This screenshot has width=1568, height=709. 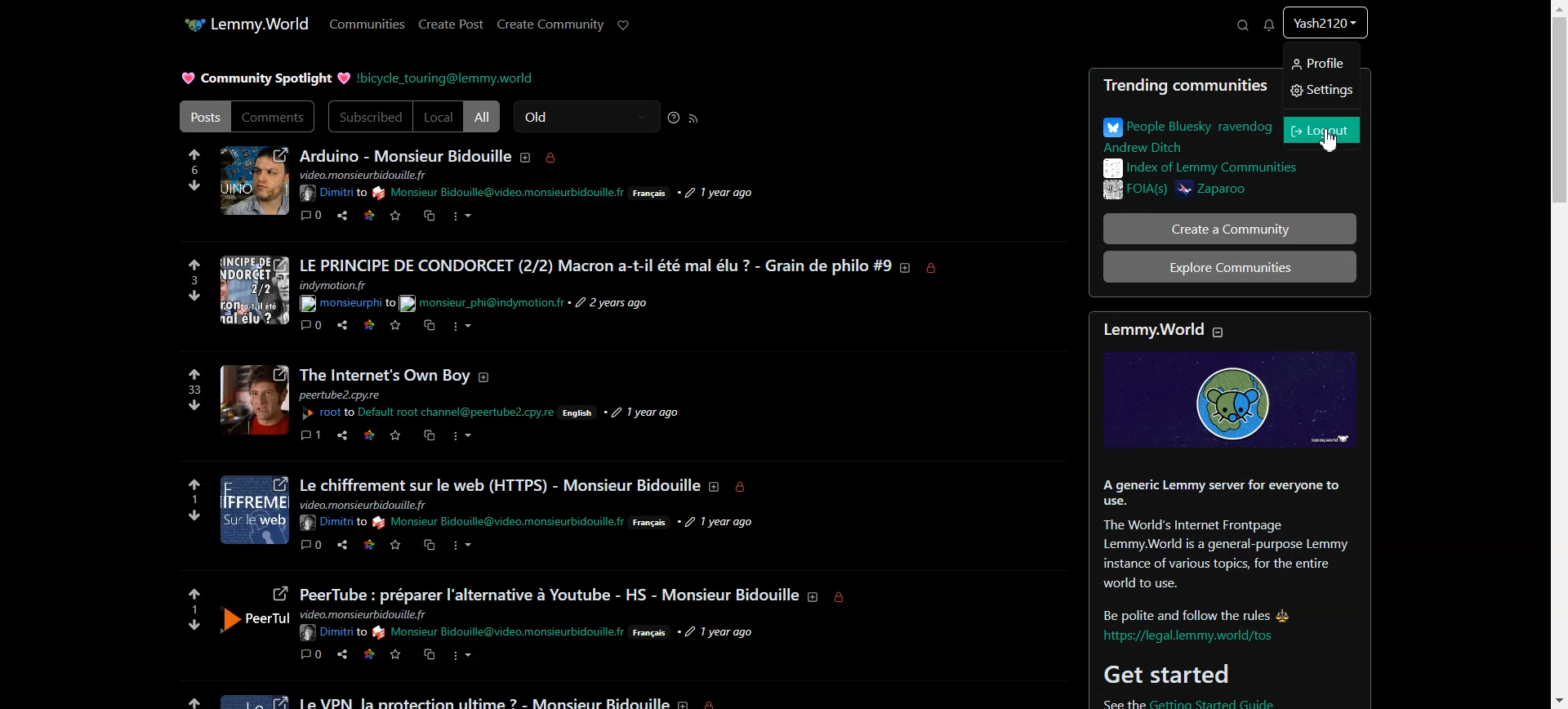 What do you see at coordinates (1212, 546) in the screenshot?
I see `text` at bounding box center [1212, 546].